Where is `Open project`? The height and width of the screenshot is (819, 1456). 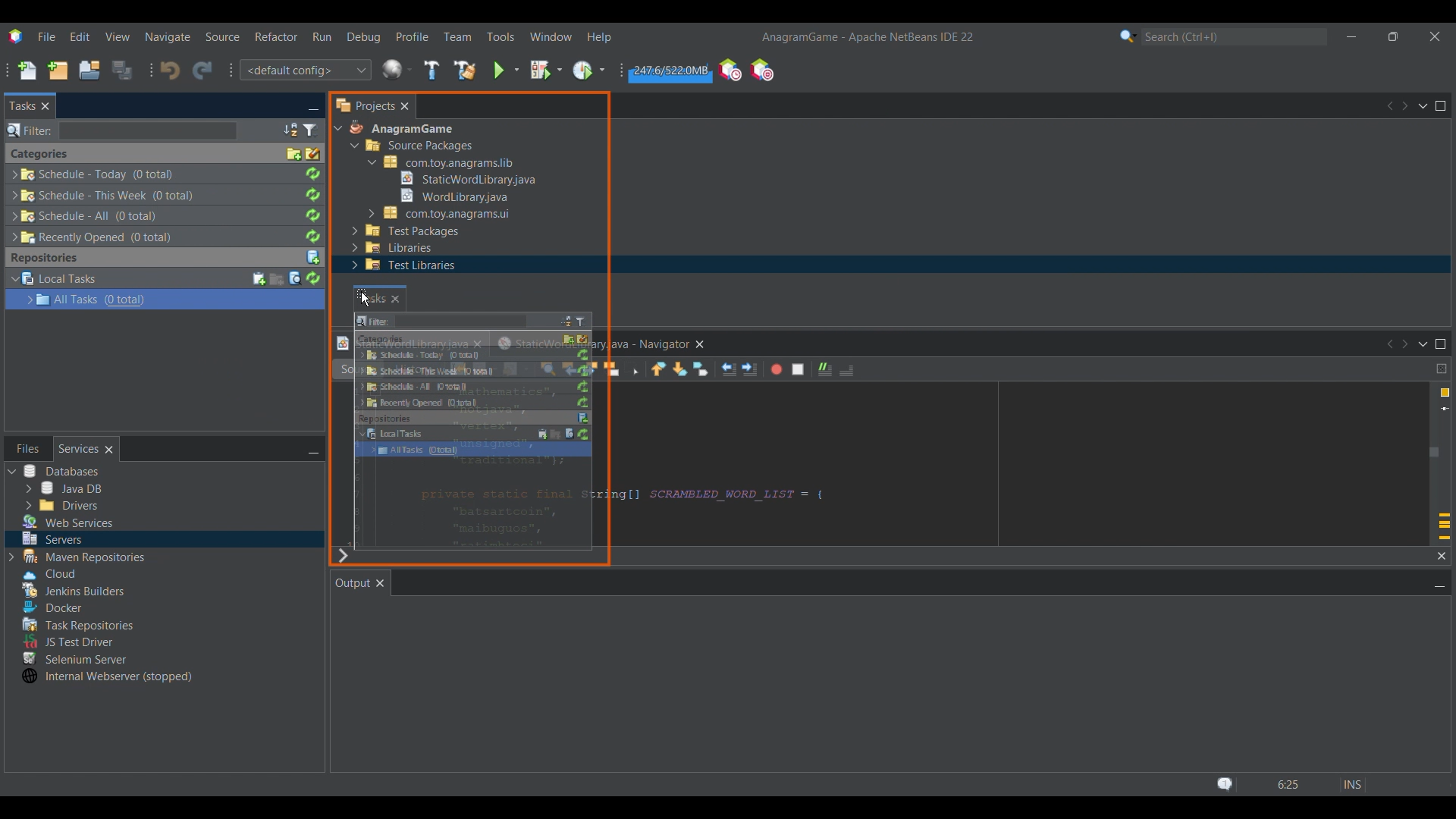
Open project is located at coordinates (89, 71).